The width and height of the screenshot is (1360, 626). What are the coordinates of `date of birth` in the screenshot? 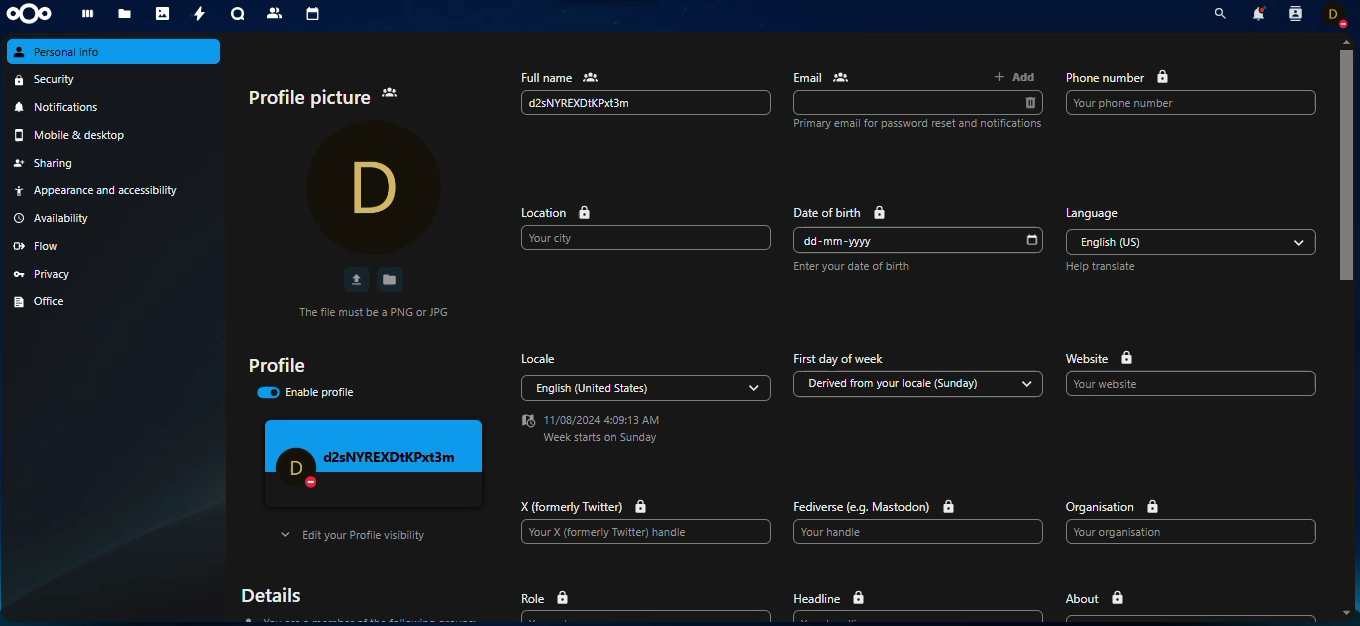 It's located at (839, 212).